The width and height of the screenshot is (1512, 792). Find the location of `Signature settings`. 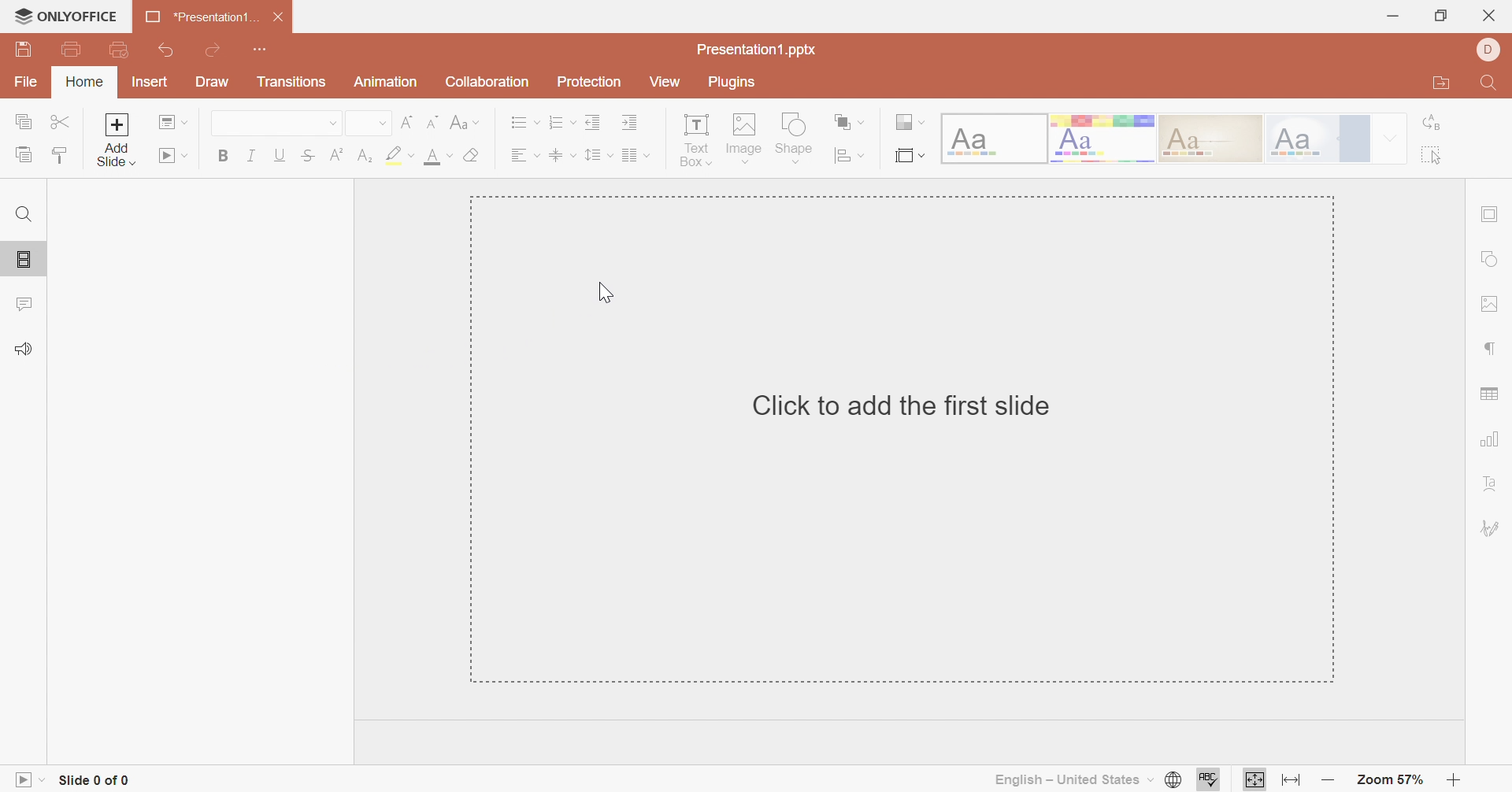

Signature settings is located at coordinates (1491, 530).